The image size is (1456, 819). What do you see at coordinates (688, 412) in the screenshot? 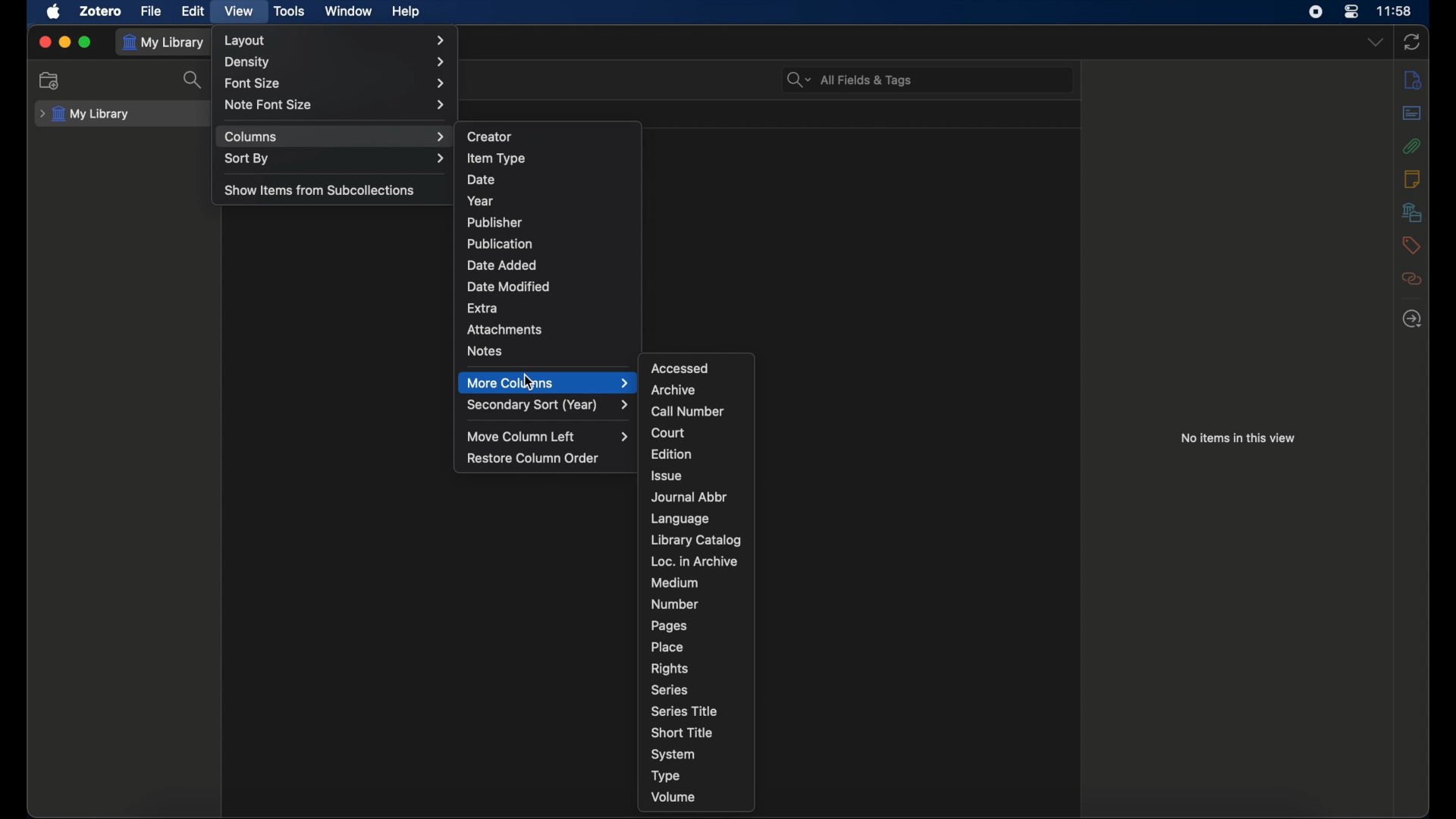
I see `call number` at bounding box center [688, 412].